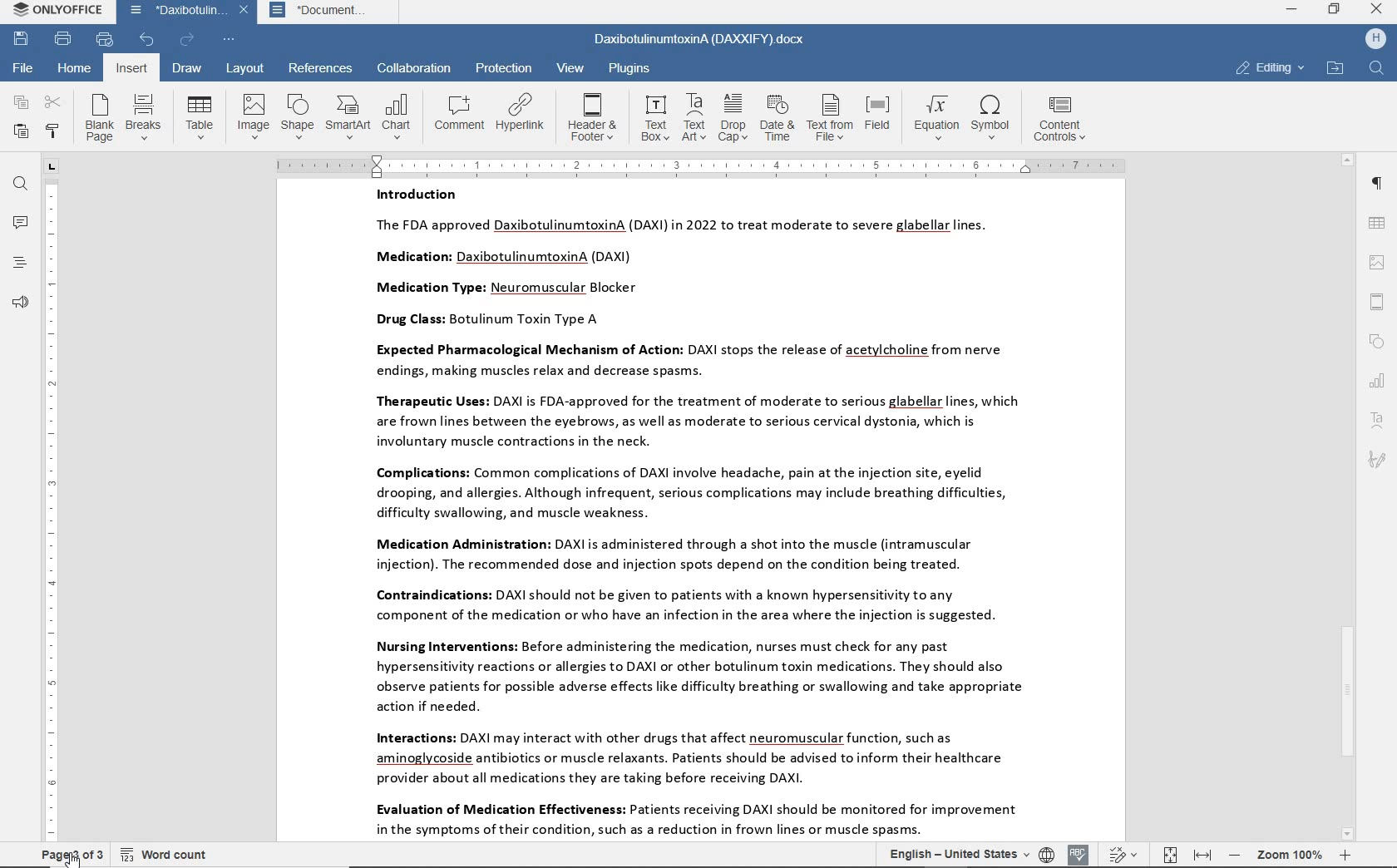  I want to click on table, so click(199, 117).